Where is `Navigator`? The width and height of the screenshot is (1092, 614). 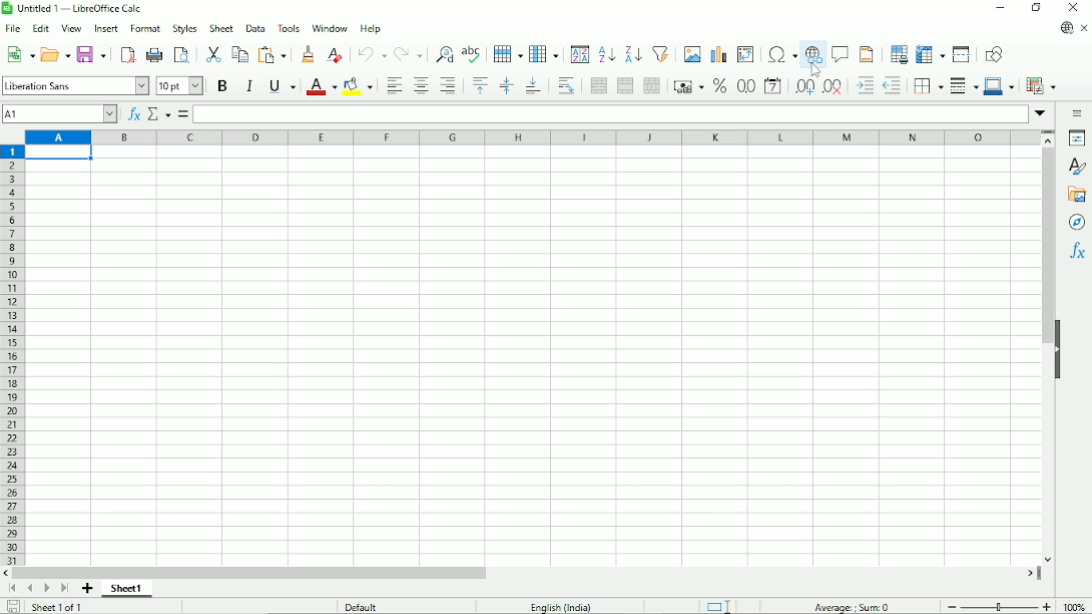
Navigator is located at coordinates (1077, 224).